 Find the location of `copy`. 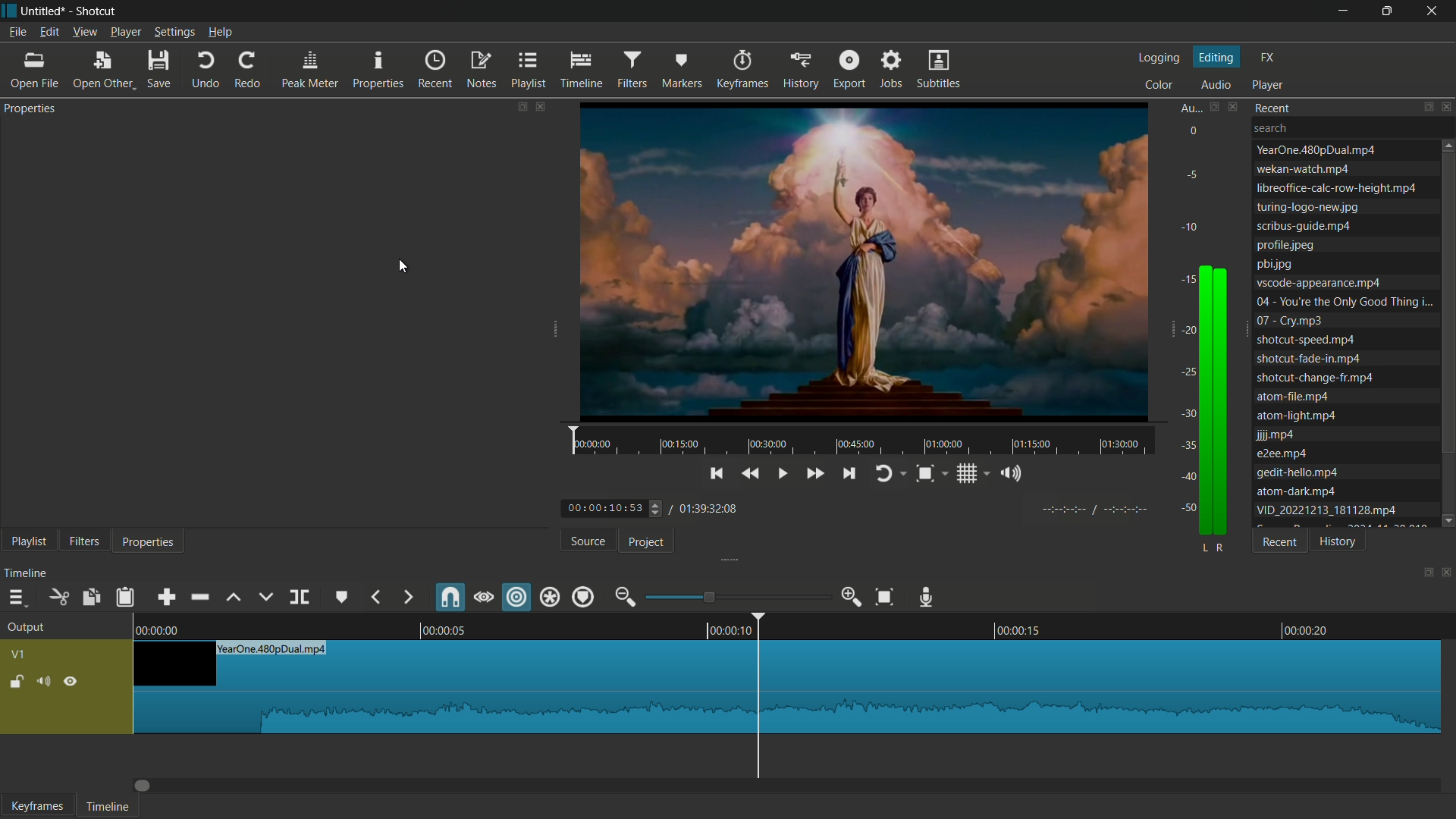

copy is located at coordinates (90, 598).